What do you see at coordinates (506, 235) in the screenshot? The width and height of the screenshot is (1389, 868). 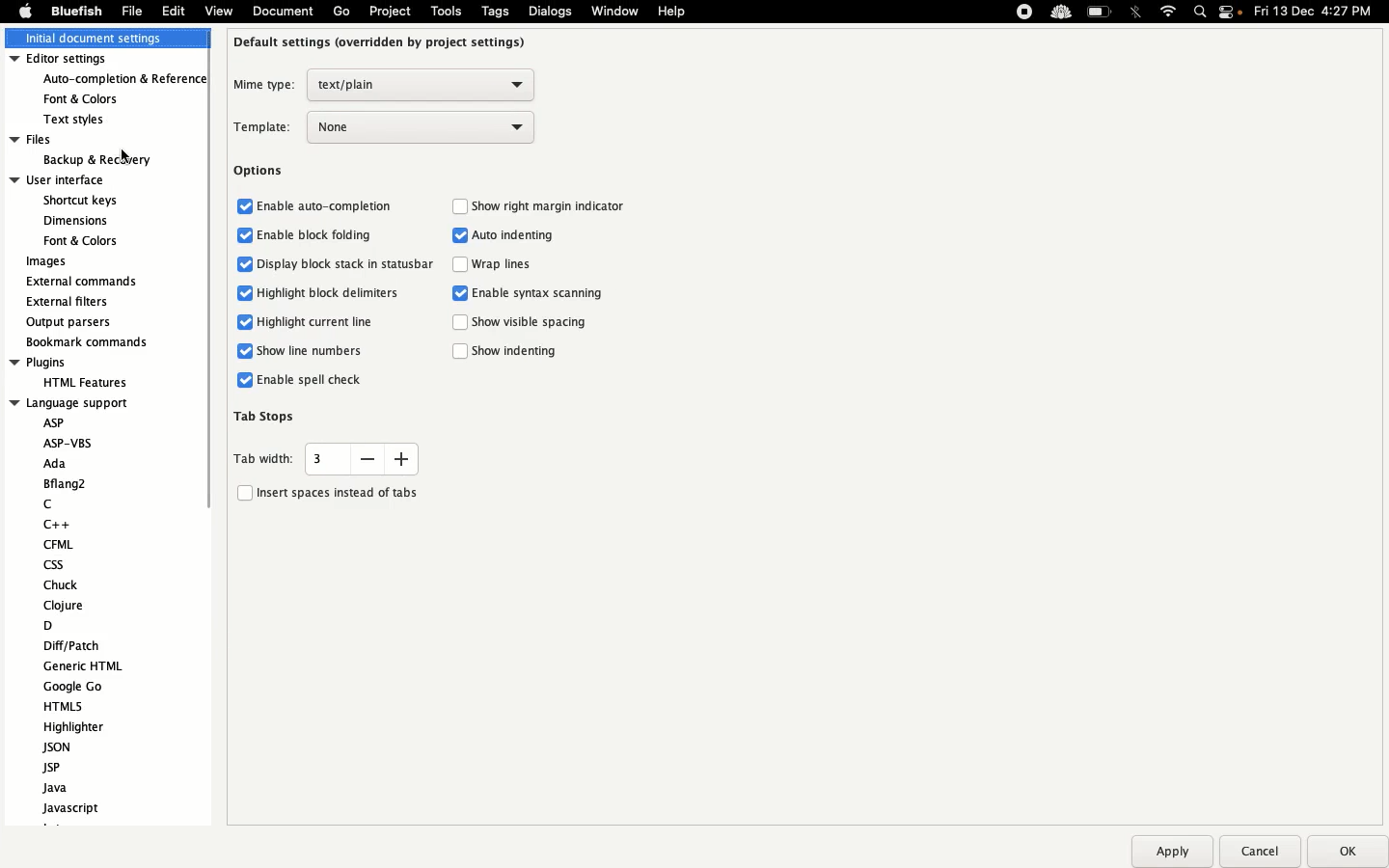 I see `Auto indenting` at bounding box center [506, 235].